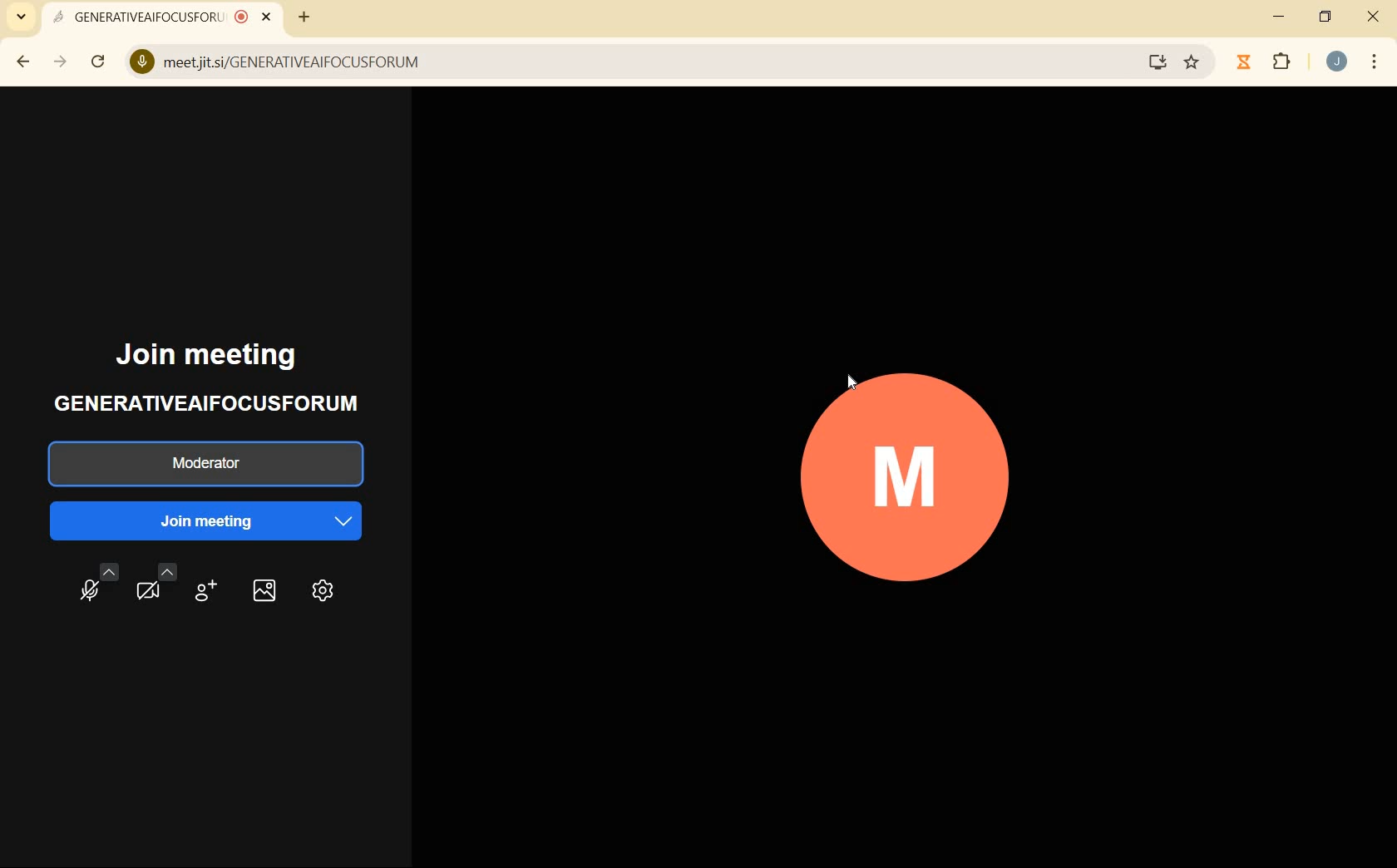 The image size is (1397, 868). I want to click on CAMERA, so click(155, 589).